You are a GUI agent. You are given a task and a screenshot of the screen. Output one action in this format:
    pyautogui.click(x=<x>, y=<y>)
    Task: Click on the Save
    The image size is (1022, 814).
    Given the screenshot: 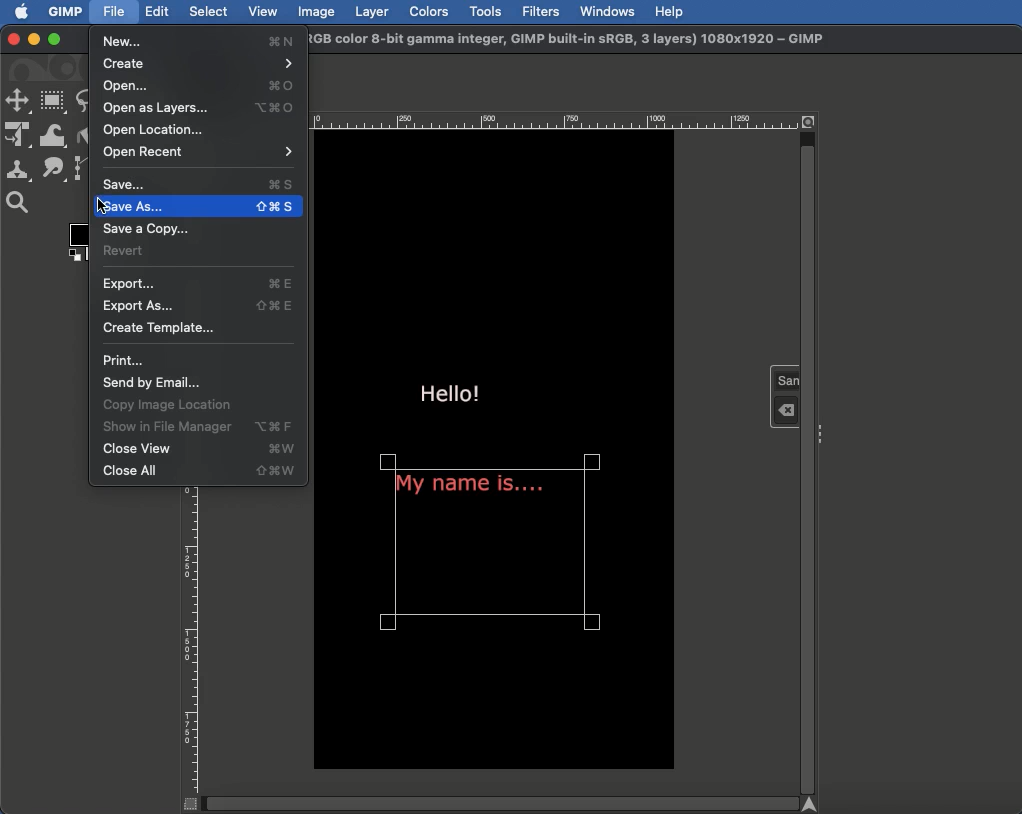 What is the action you would take?
    pyautogui.click(x=196, y=185)
    